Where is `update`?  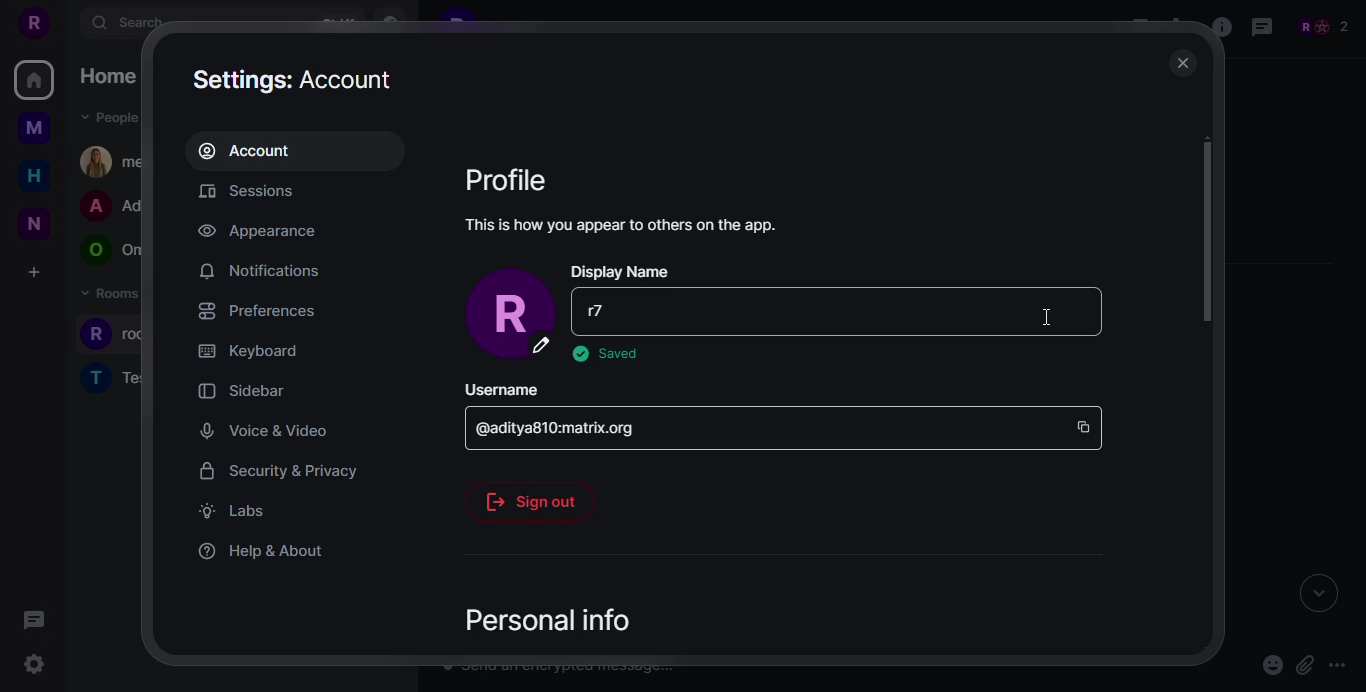
update is located at coordinates (1040, 311).